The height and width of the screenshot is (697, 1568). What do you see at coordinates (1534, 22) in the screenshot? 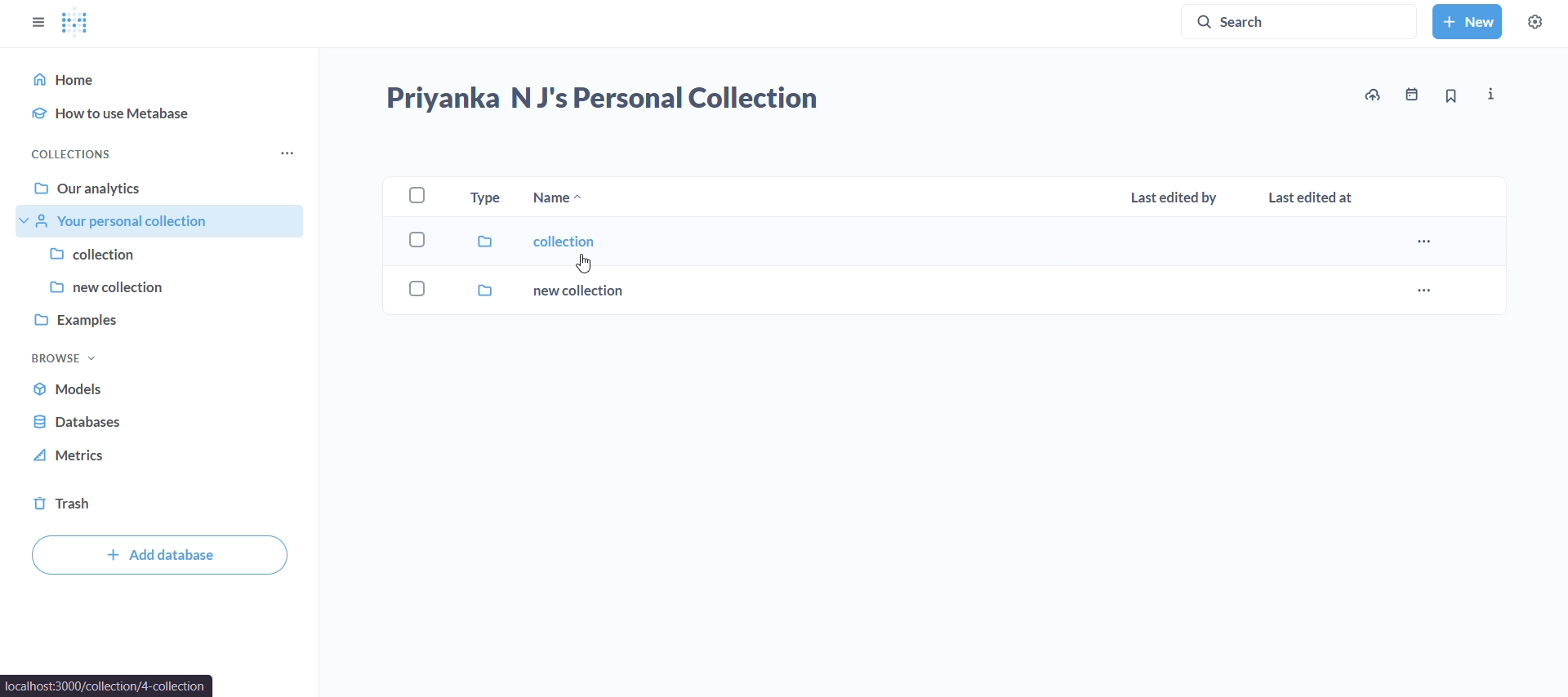
I see `settings` at bounding box center [1534, 22].